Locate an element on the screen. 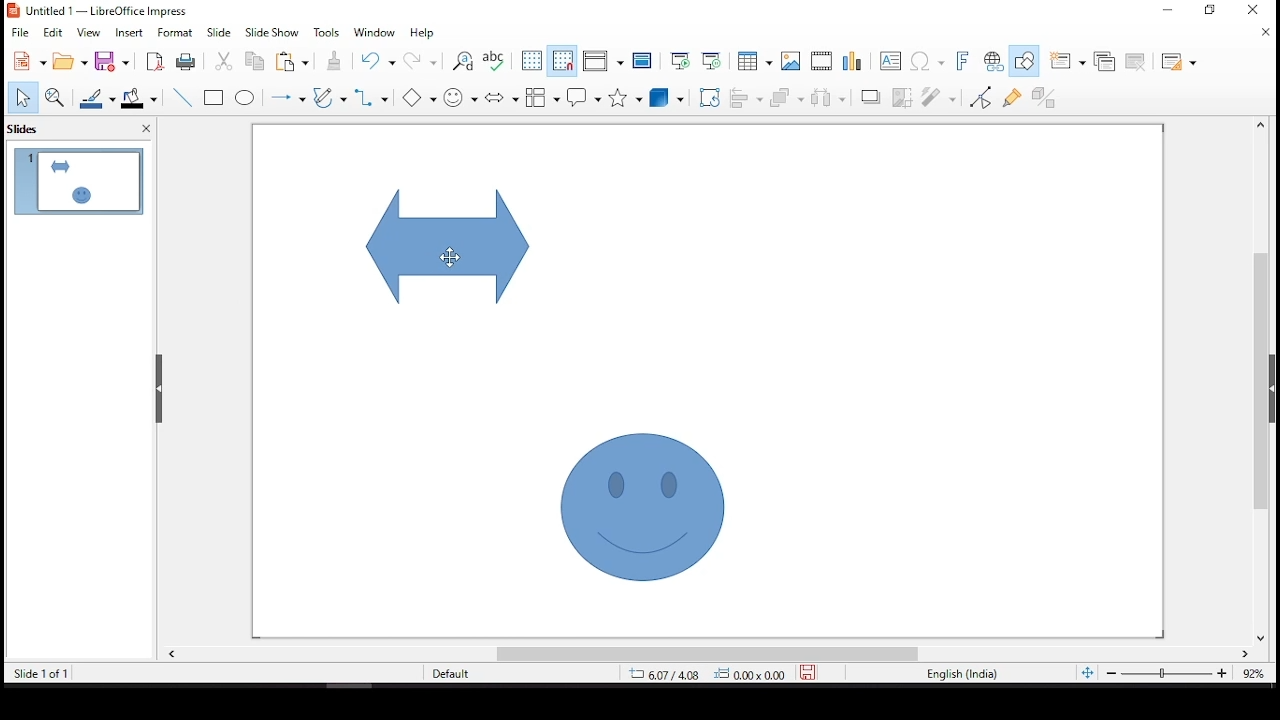  default is located at coordinates (457, 673).